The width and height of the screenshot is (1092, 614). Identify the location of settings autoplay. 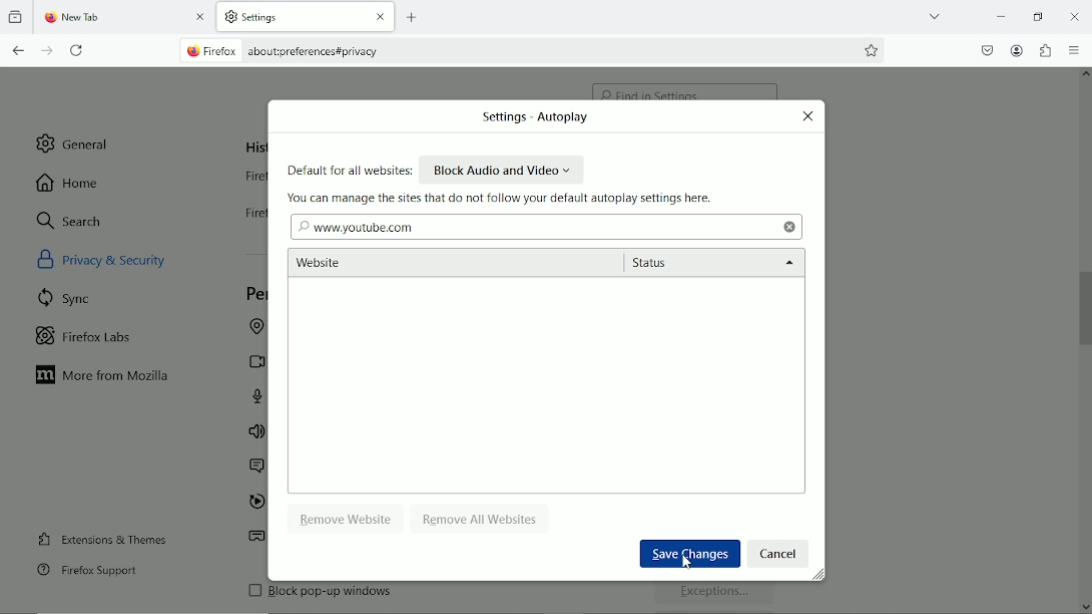
(530, 118).